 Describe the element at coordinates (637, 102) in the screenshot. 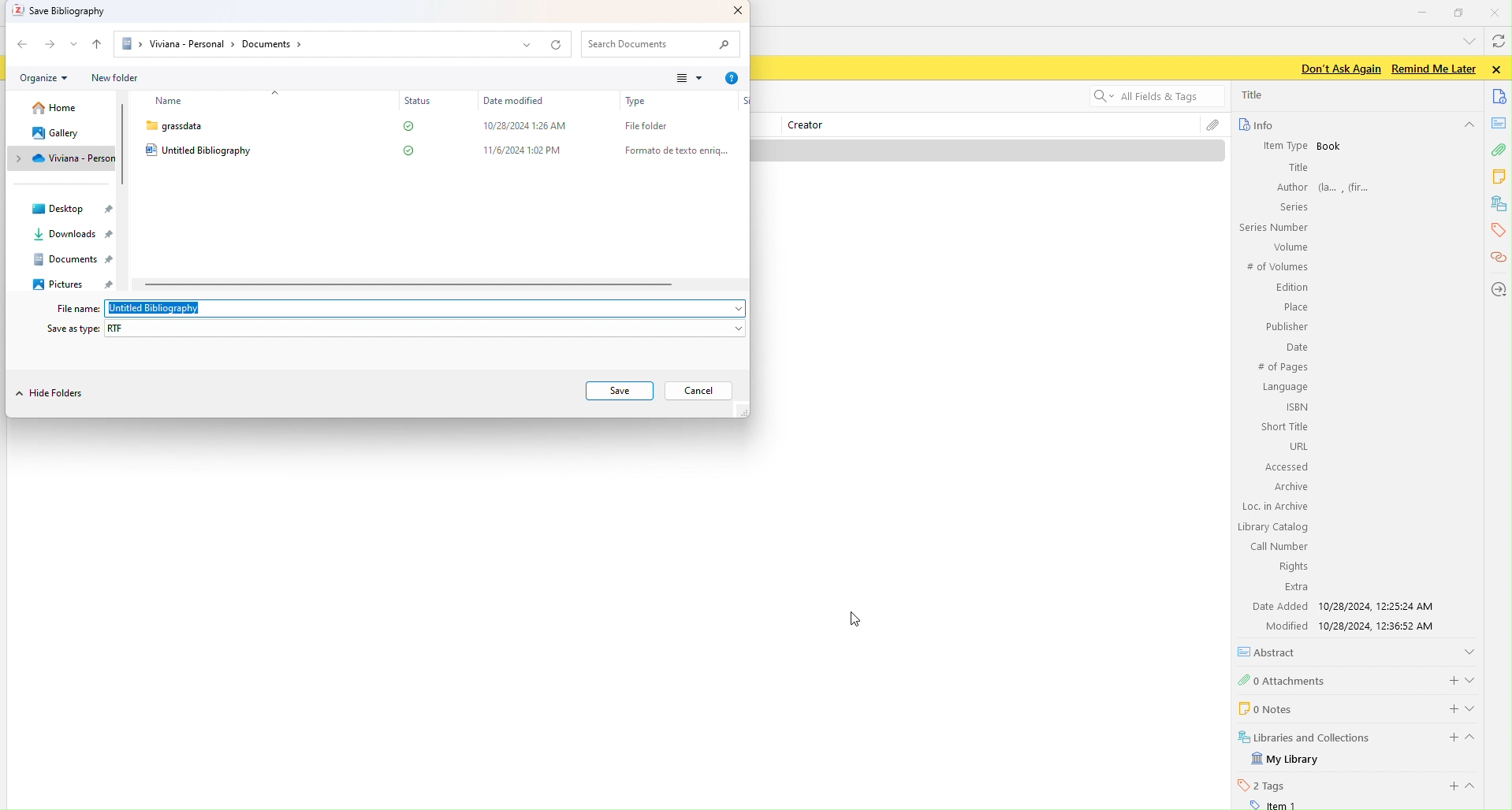

I see `Type` at that location.